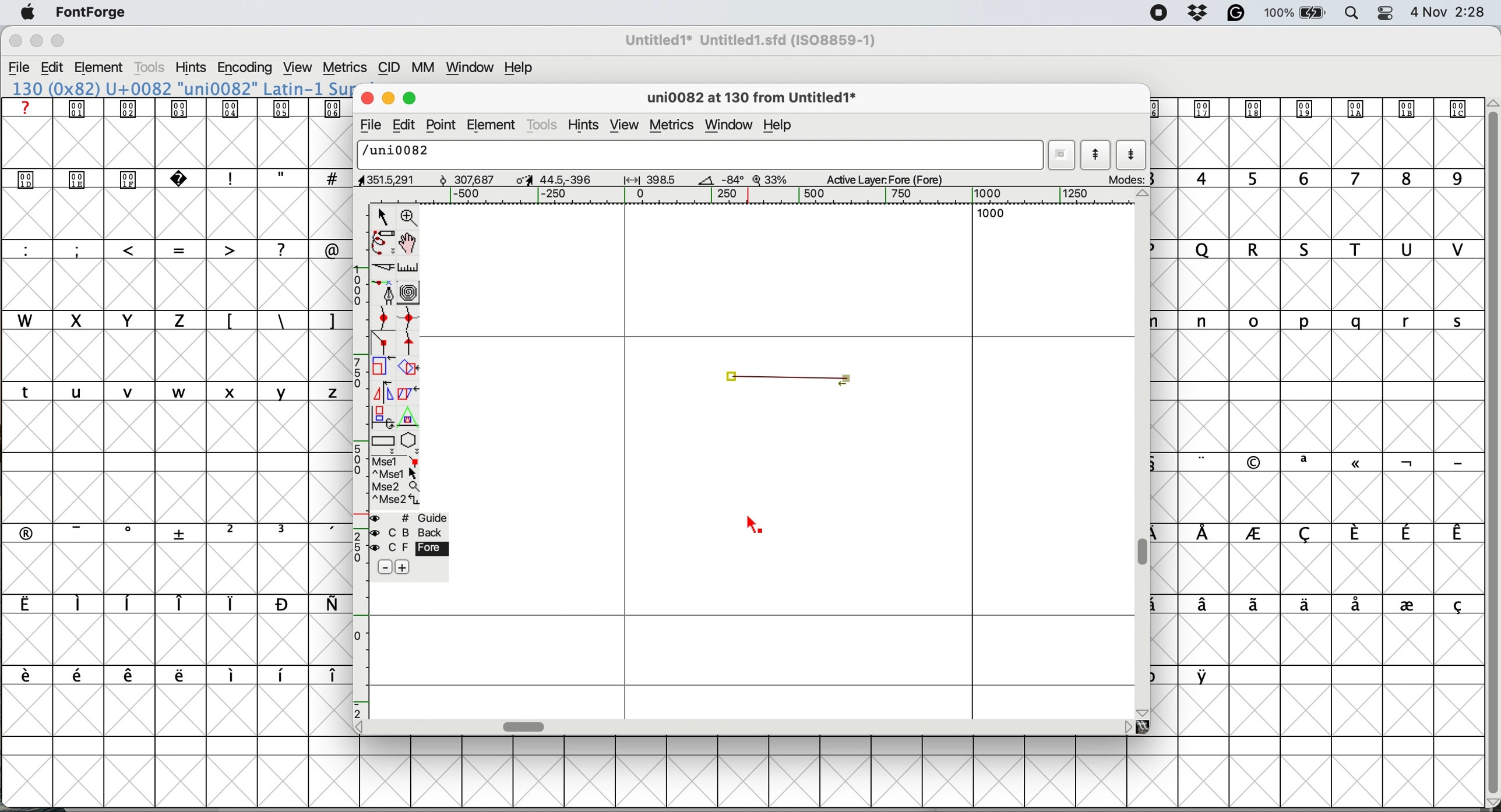  Describe the element at coordinates (300, 68) in the screenshot. I see `view` at that location.